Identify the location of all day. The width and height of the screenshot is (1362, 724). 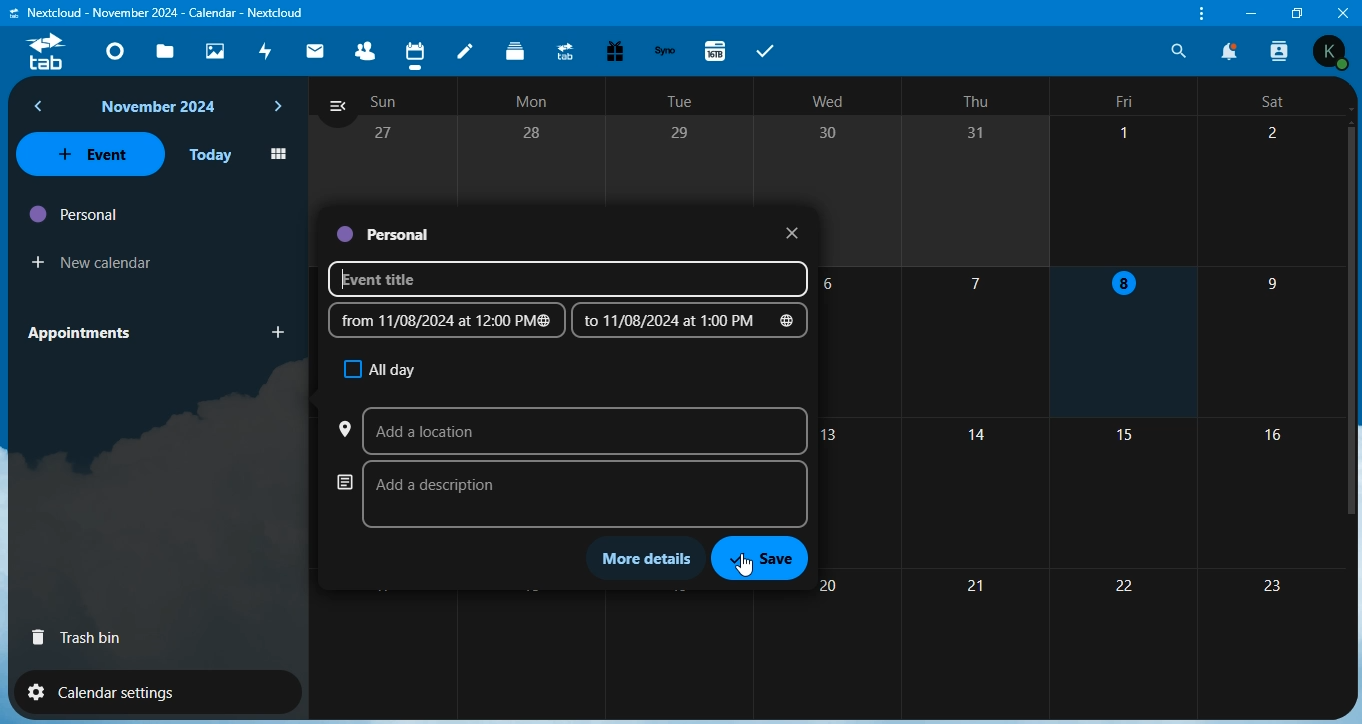
(379, 367).